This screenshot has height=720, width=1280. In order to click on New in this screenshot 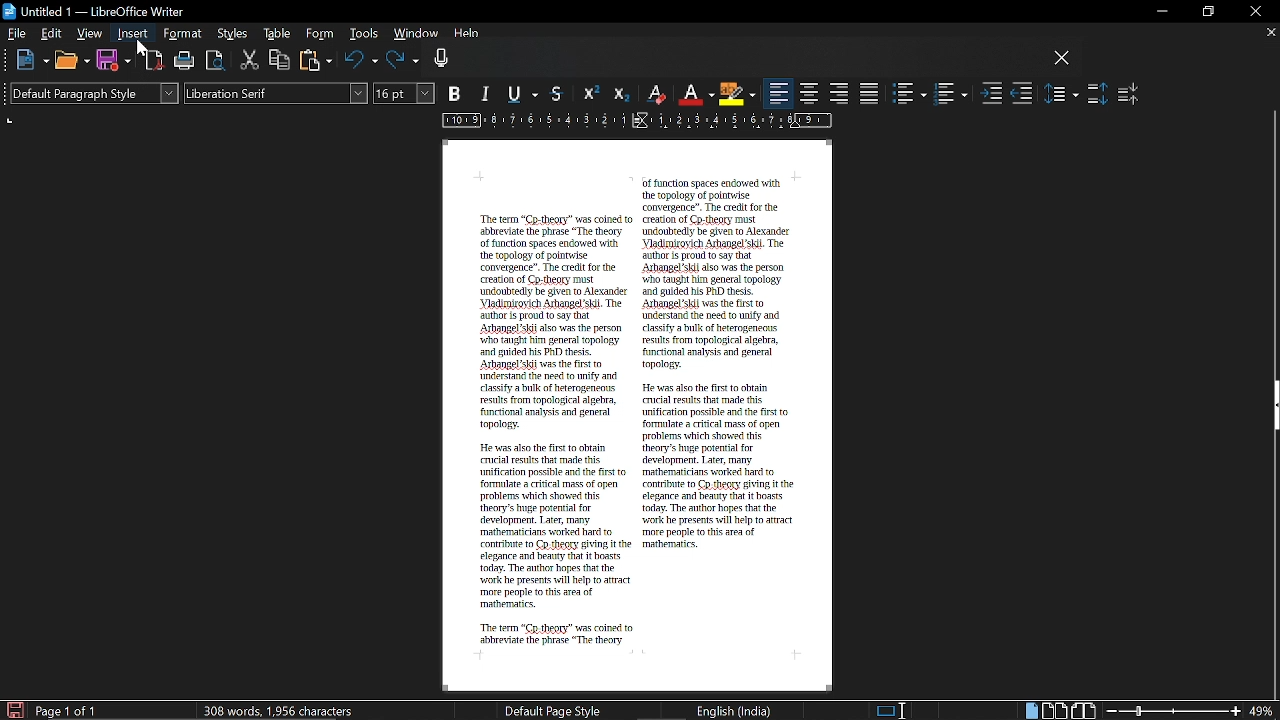, I will do `click(32, 61)`.